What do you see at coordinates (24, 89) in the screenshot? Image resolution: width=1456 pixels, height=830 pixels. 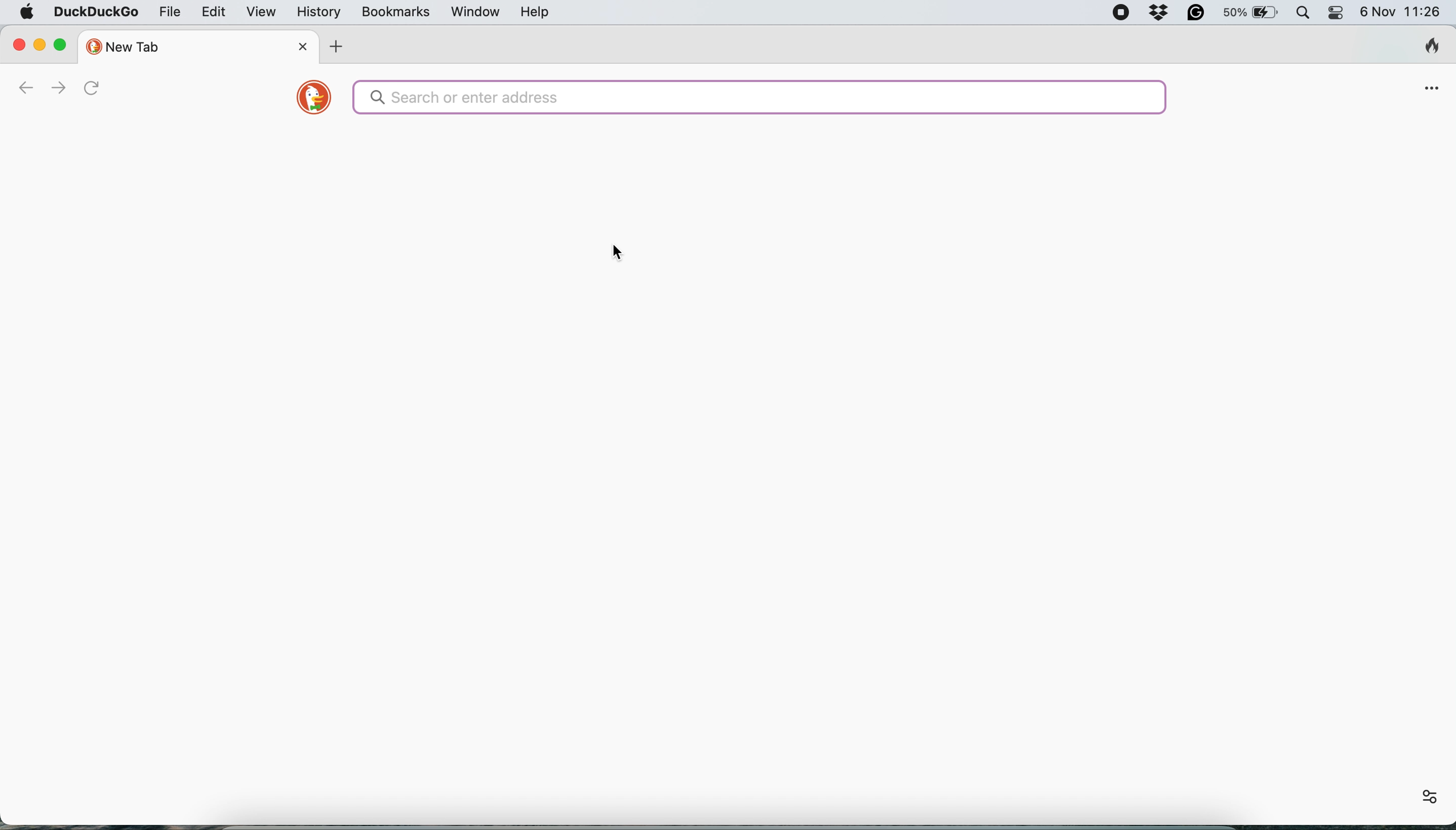 I see `go back` at bounding box center [24, 89].